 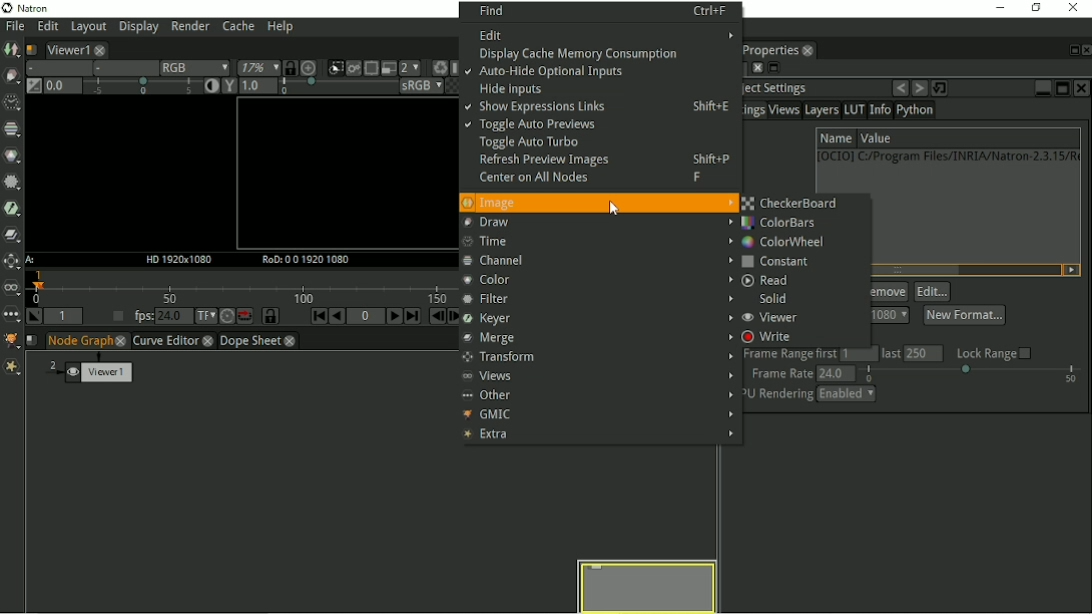 What do you see at coordinates (31, 260) in the screenshot?
I see `A` at bounding box center [31, 260].